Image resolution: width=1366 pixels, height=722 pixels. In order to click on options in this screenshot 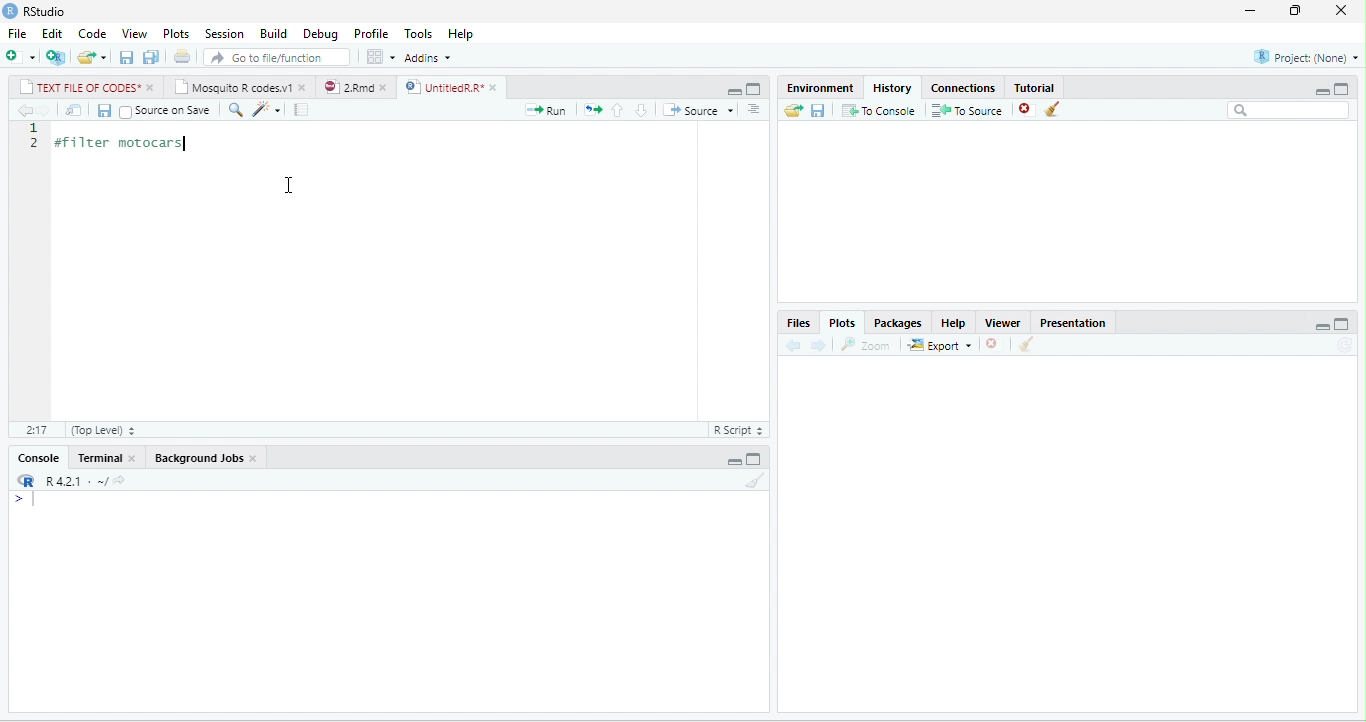, I will do `click(380, 56)`.